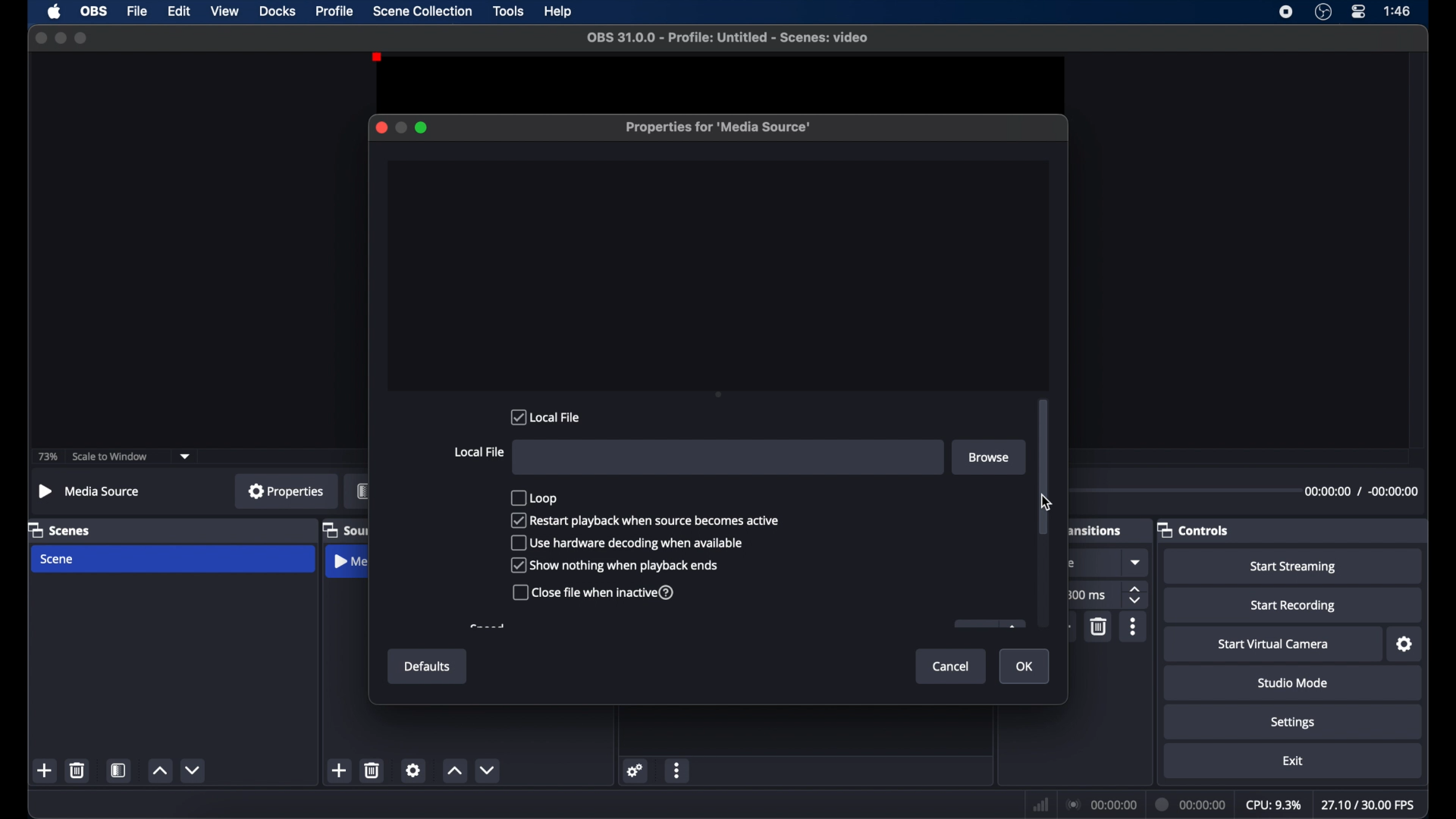 The image size is (1456, 819). Describe the element at coordinates (1086, 595) in the screenshot. I see `300 ms` at that location.